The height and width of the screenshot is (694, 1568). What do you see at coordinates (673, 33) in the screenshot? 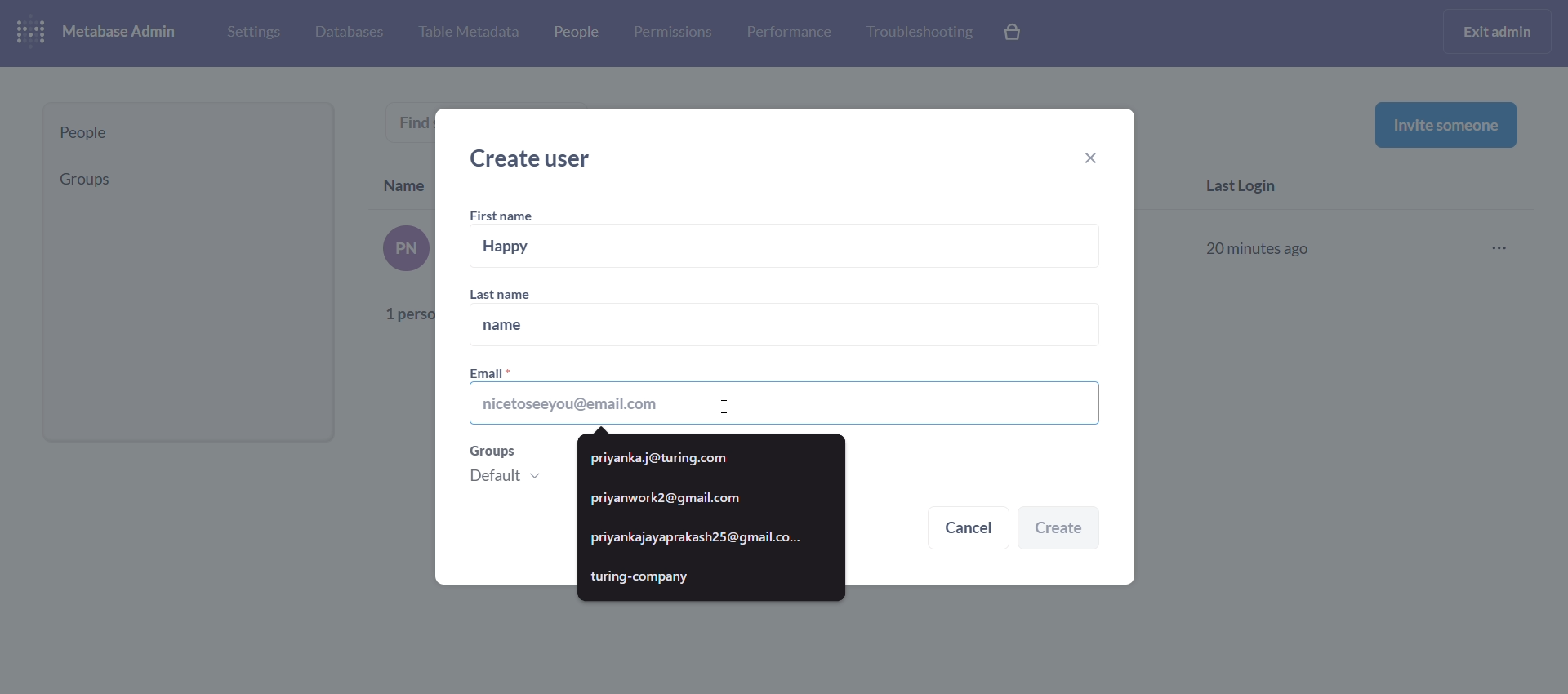
I see `permissions` at bounding box center [673, 33].